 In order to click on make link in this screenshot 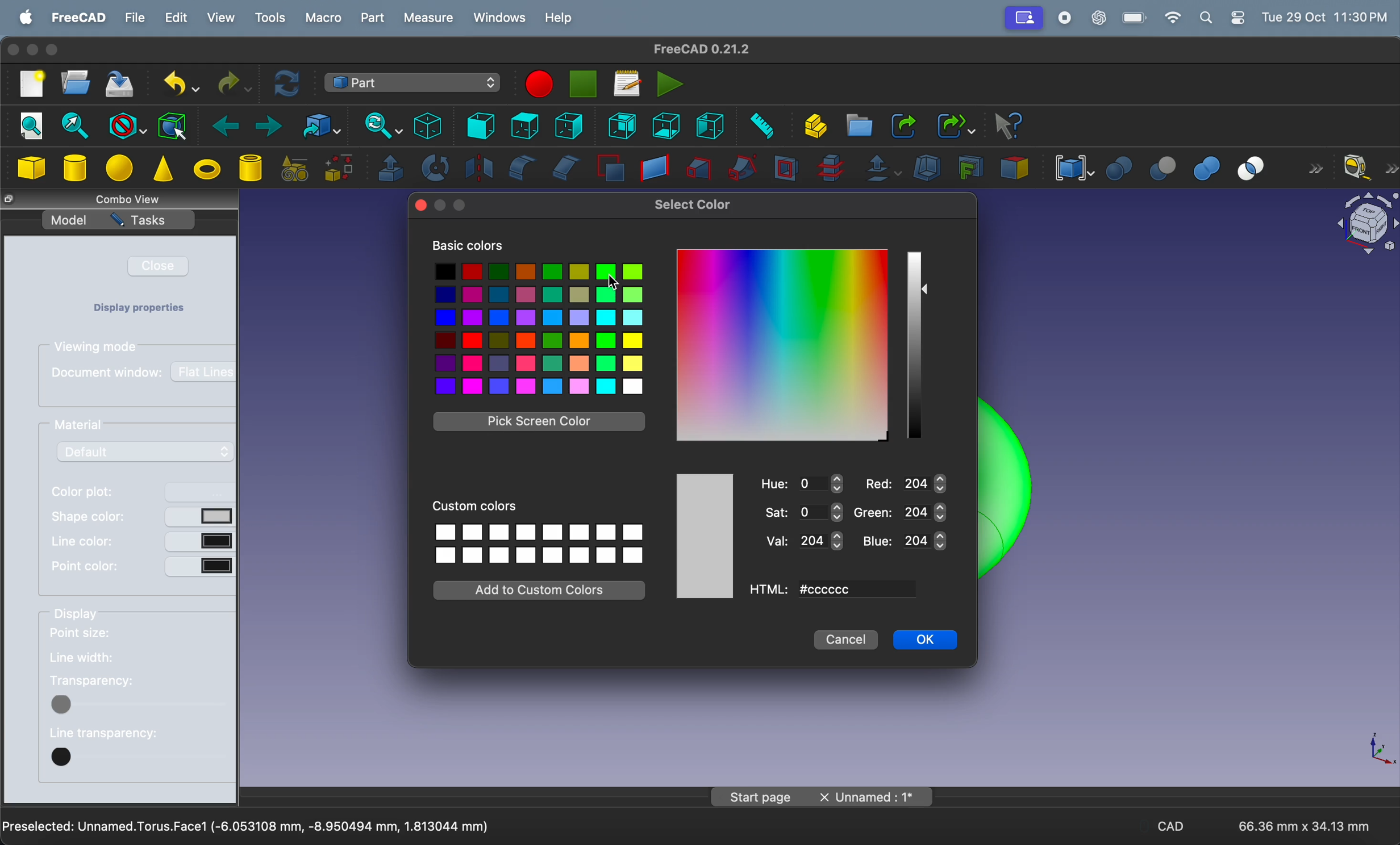, I will do `click(903, 126)`.